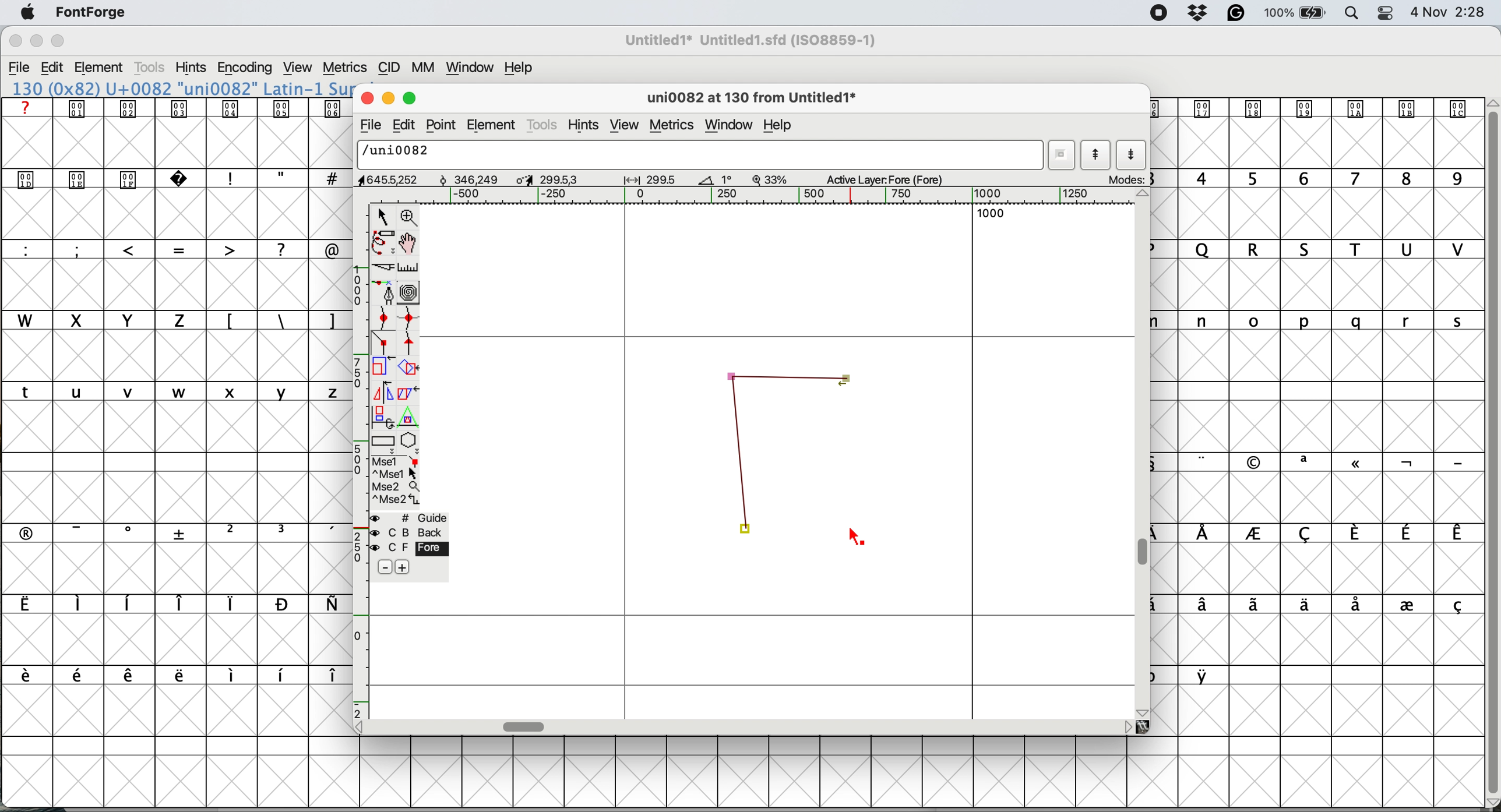  Describe the element at coordinates (1294, 13) in the screenshot. I see `battery` at that location.